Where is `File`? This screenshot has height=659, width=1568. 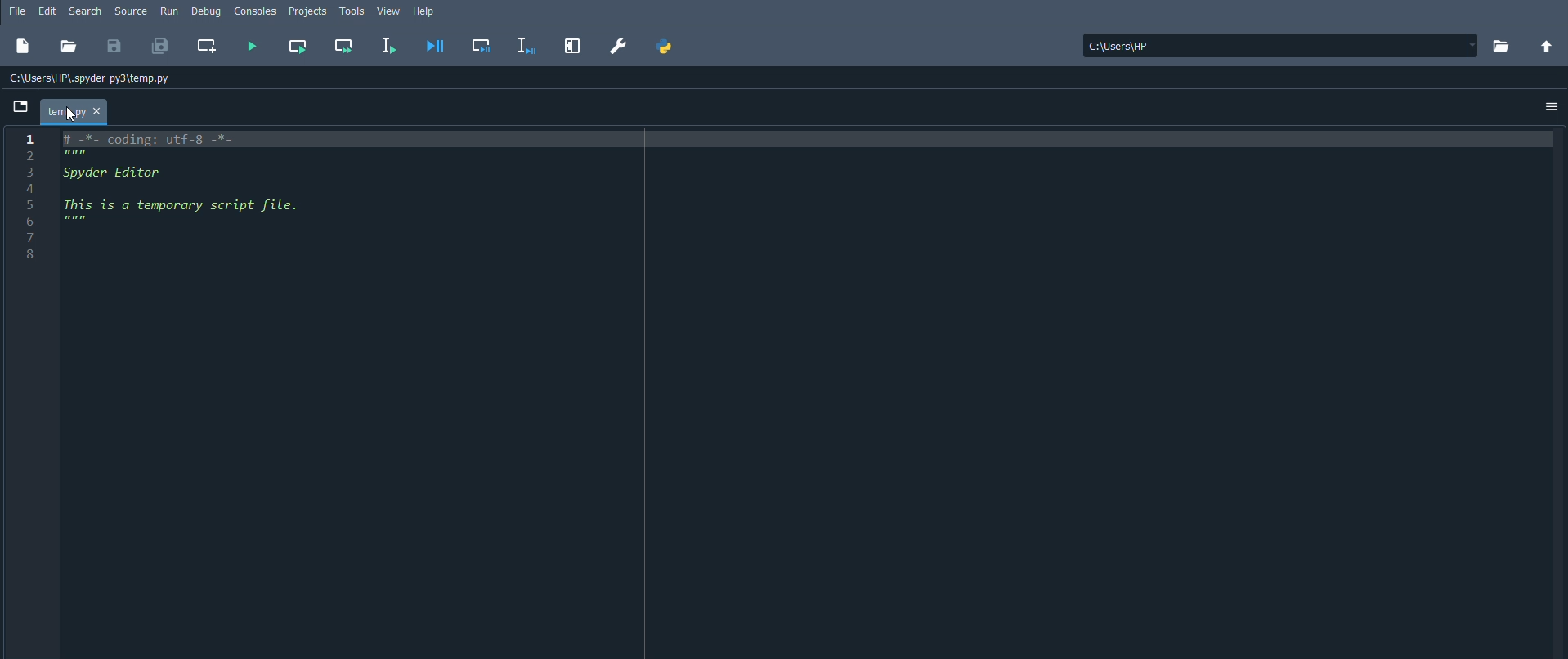 File is located at coordinates (16, 11).